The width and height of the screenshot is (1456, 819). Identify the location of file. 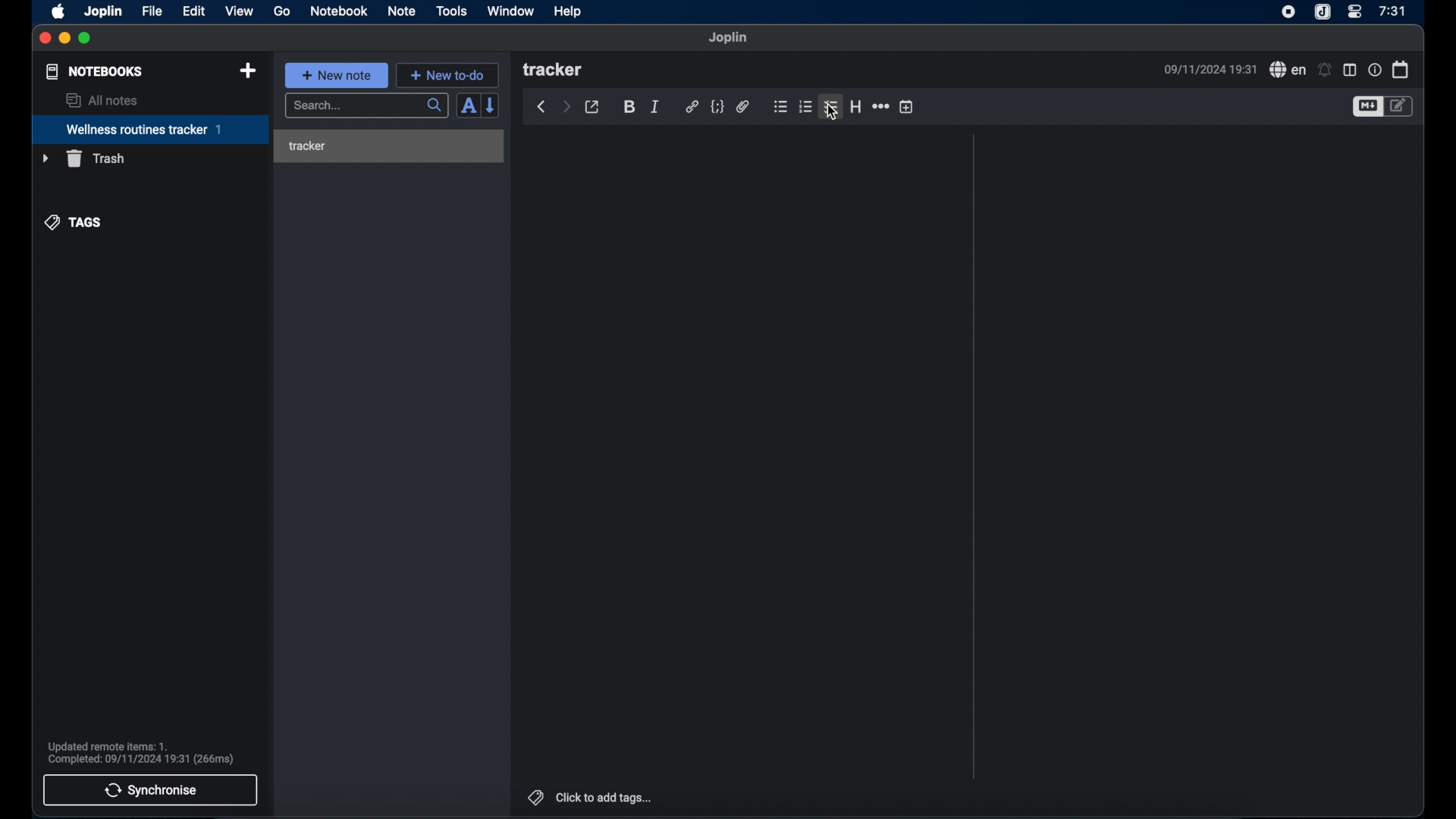
(152, 11).